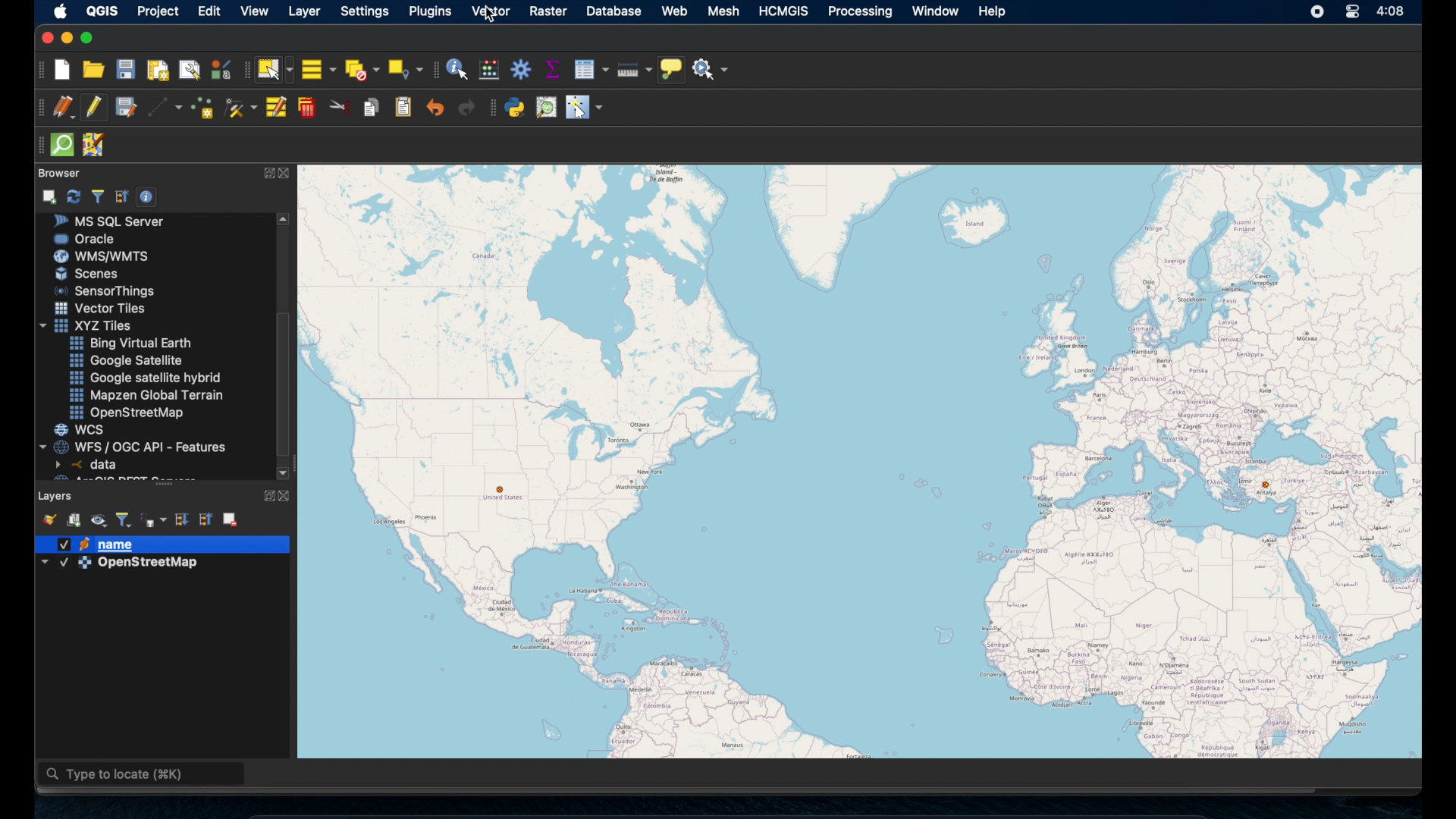  What do you see at coordinates (99, 521) in the screenshot?
I see `manage map. themes` at bounding box center [99, 521].